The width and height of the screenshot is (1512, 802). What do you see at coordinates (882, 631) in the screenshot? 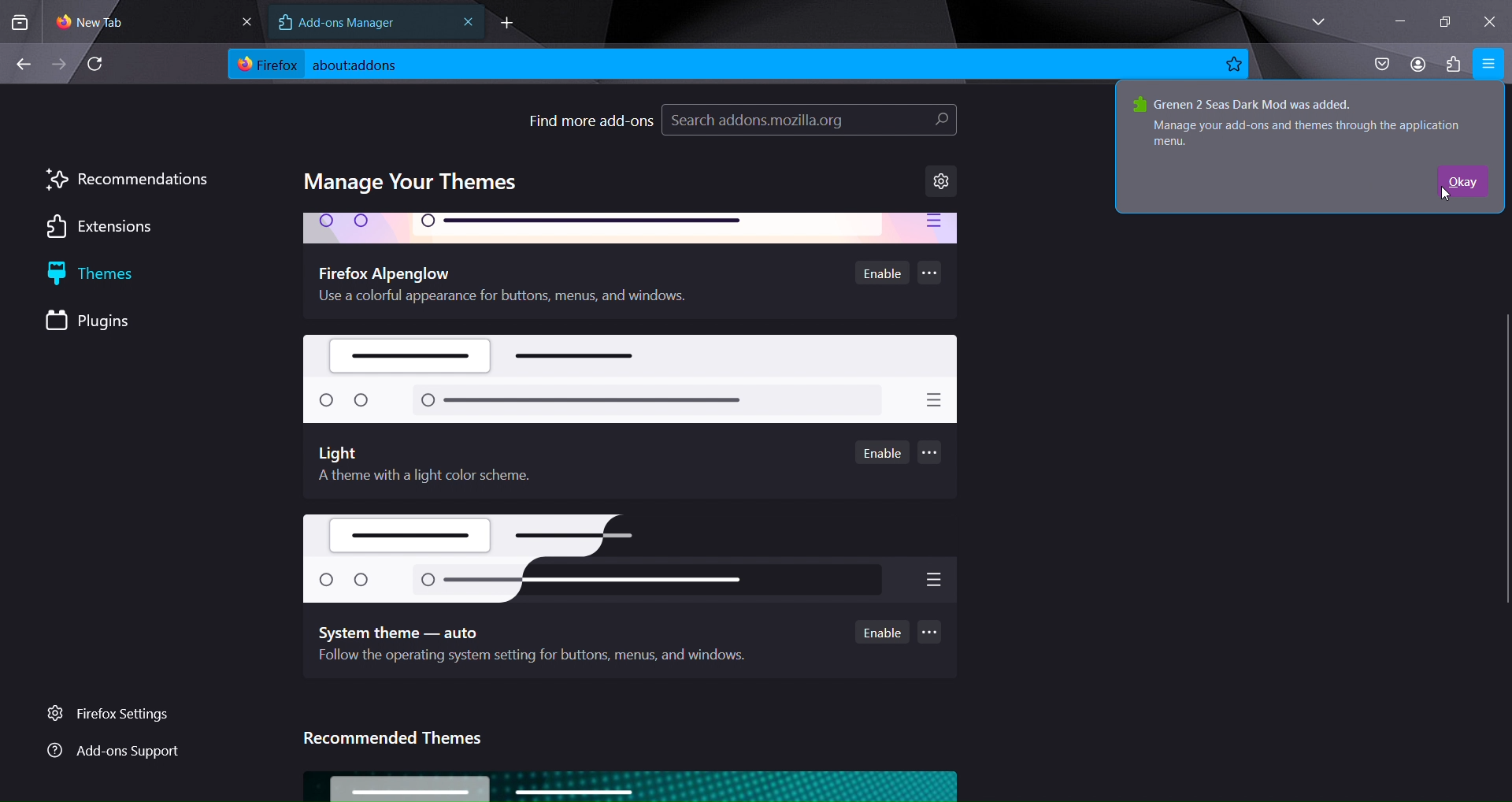
I see `enable` at bounding box center [882, 631].